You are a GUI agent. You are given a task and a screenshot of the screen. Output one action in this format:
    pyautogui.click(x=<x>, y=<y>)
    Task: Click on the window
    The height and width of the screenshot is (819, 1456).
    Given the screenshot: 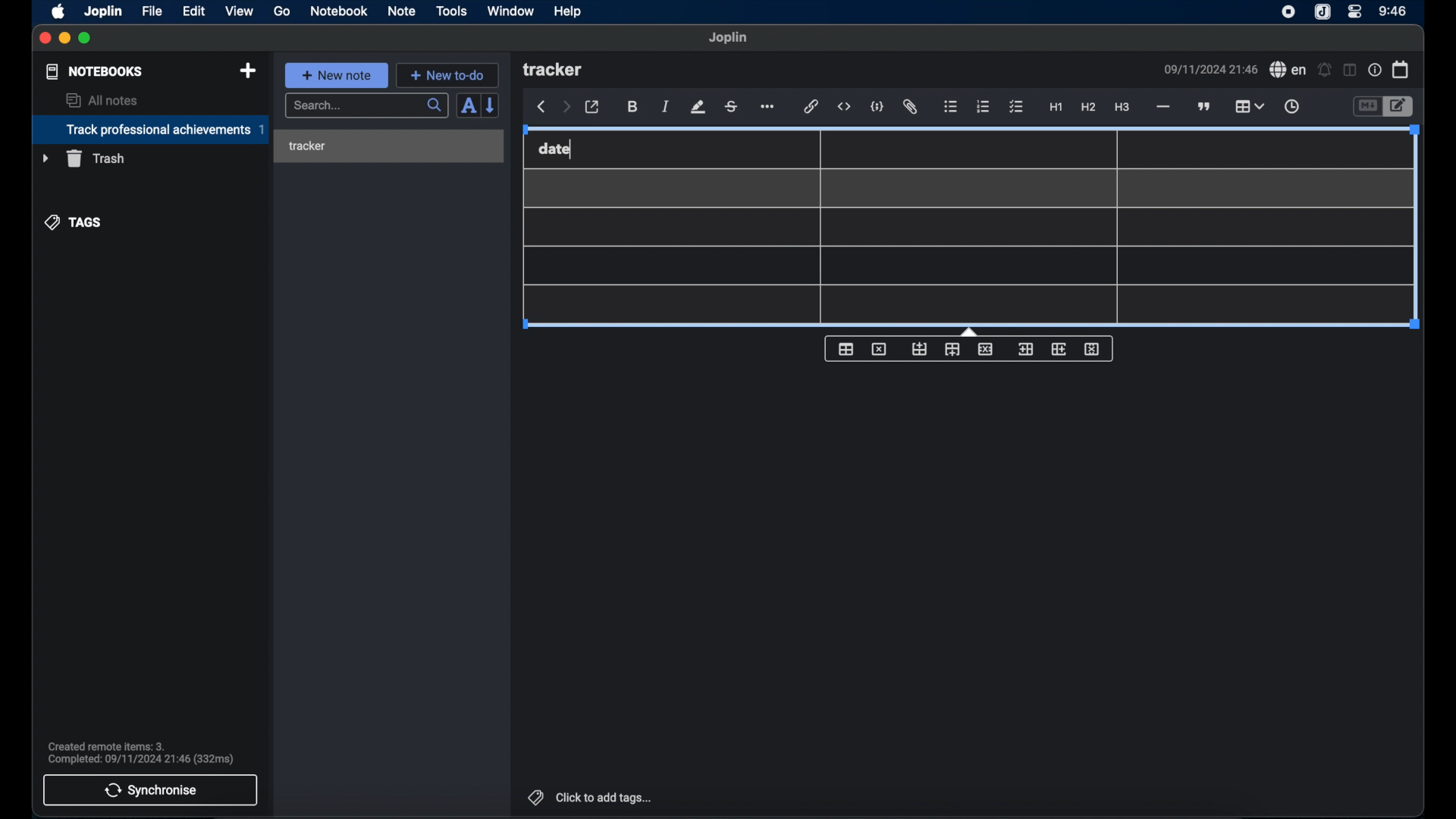 What is the action you would take?
    pyautogui.click(x=510, y=11)
    